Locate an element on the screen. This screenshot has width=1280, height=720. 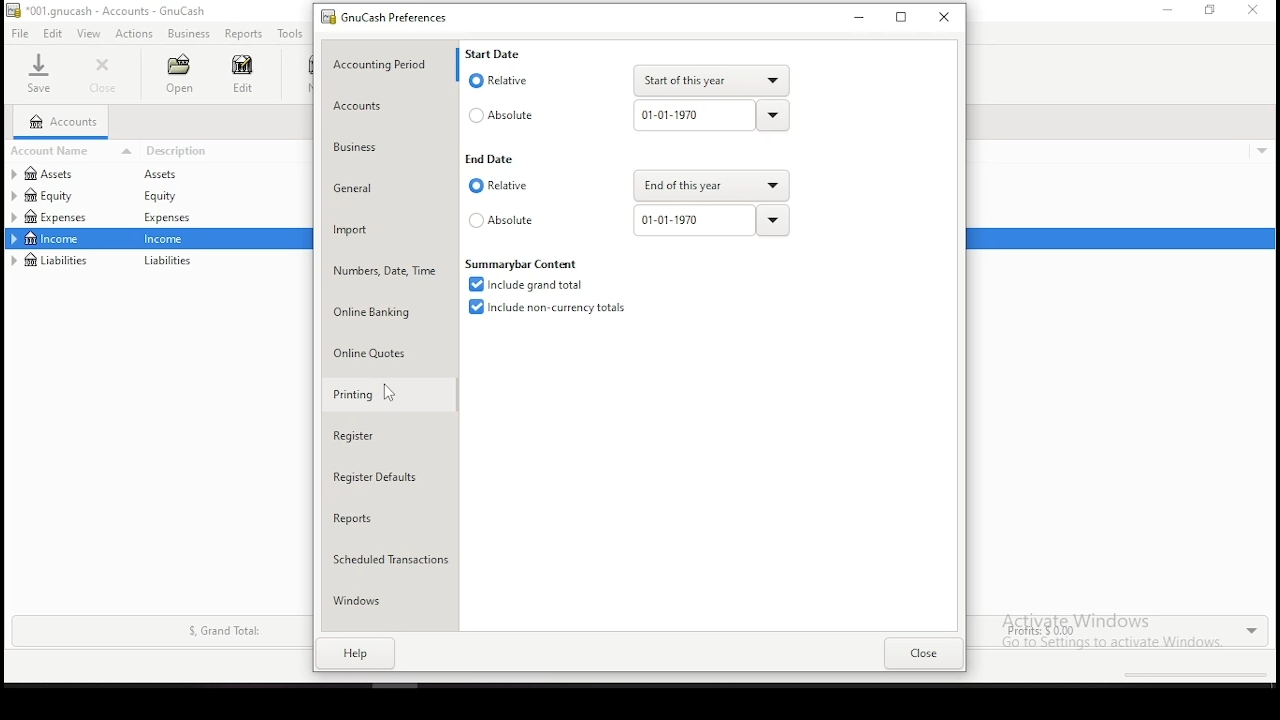
reports is located at coordinates (369, 518).